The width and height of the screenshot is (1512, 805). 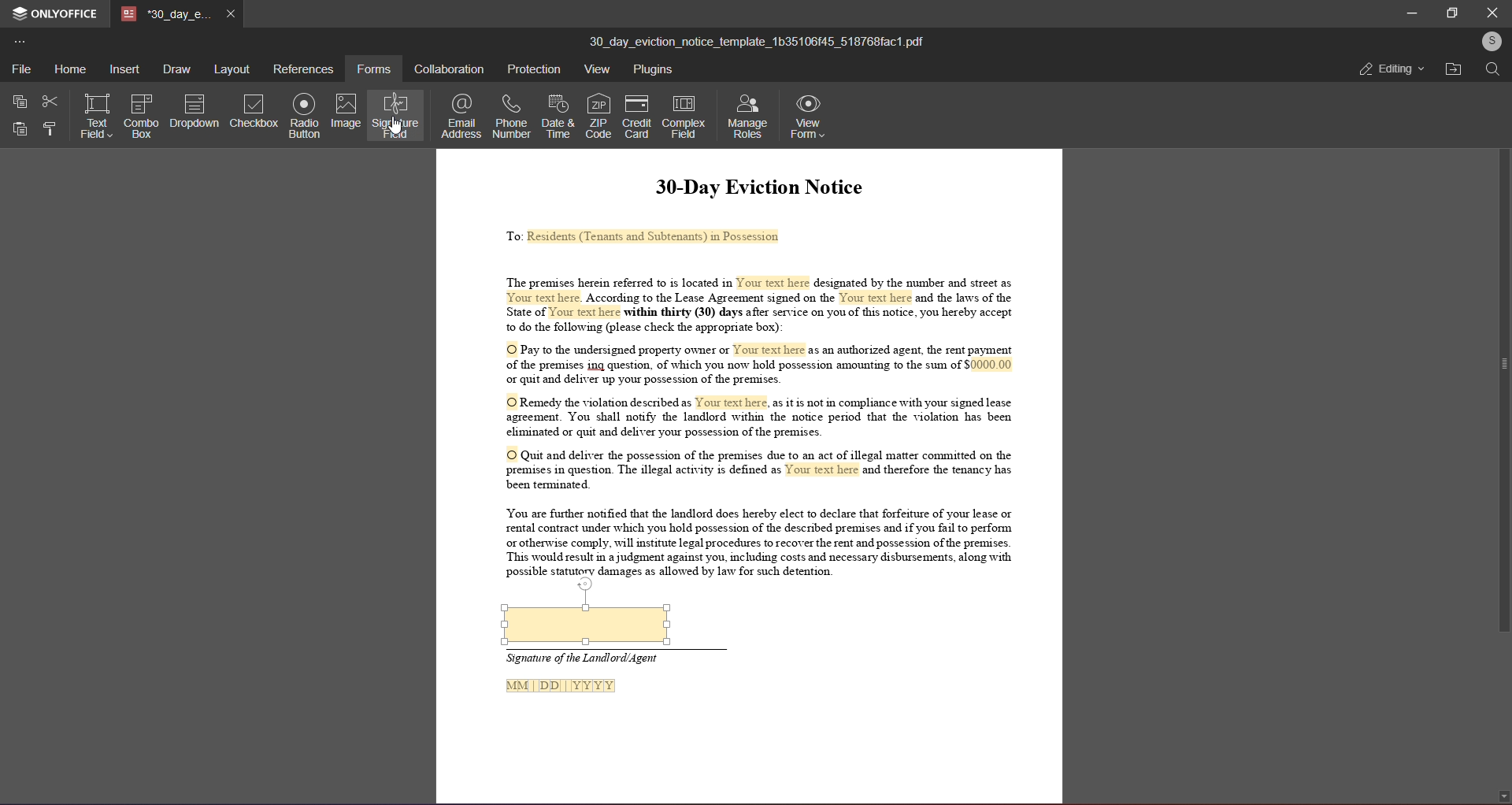 What do you see at coordinates (168, 14) in the screenshot?
I see `tab name` at bounding box center [168, 14].